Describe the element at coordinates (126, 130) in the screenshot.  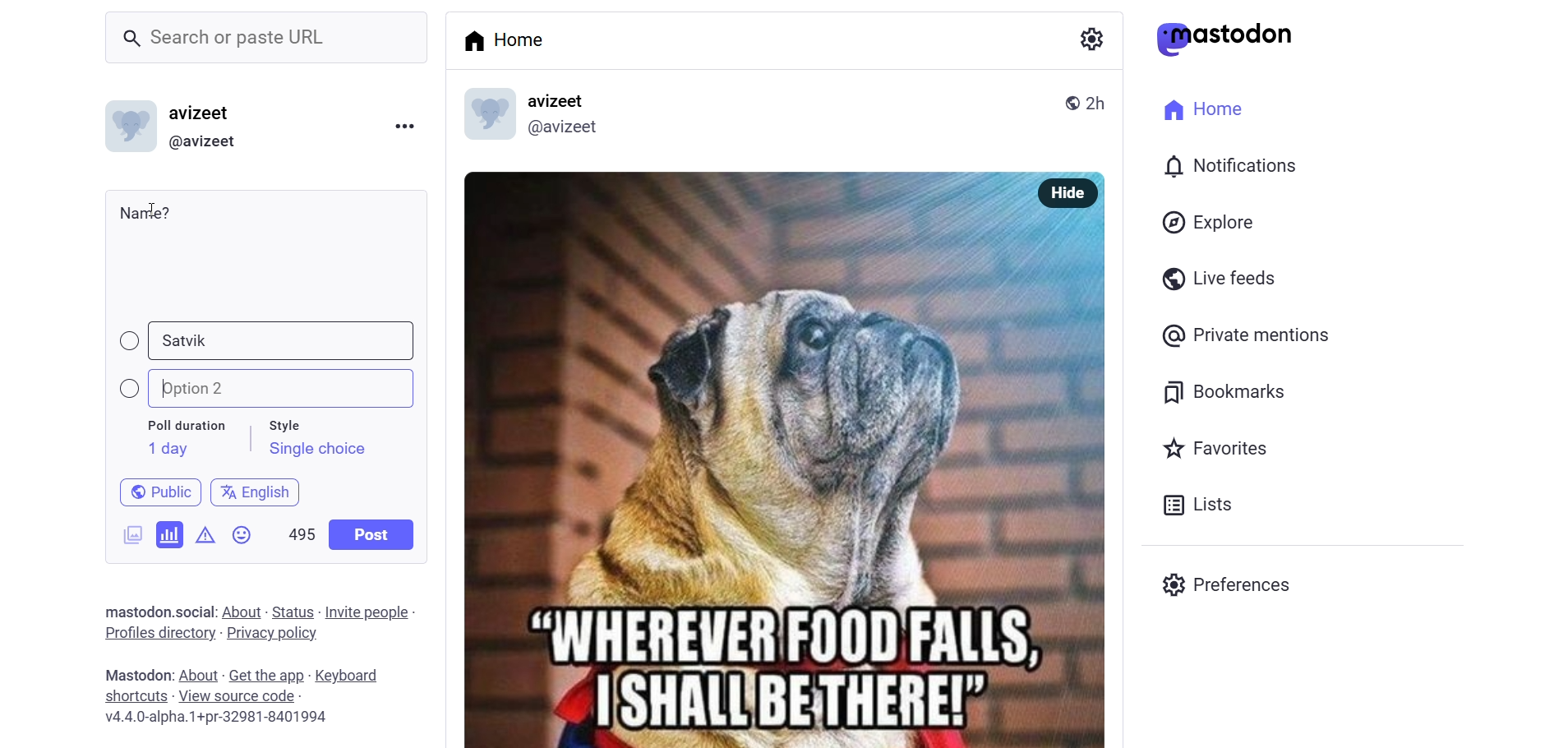
I see `id` at that location.